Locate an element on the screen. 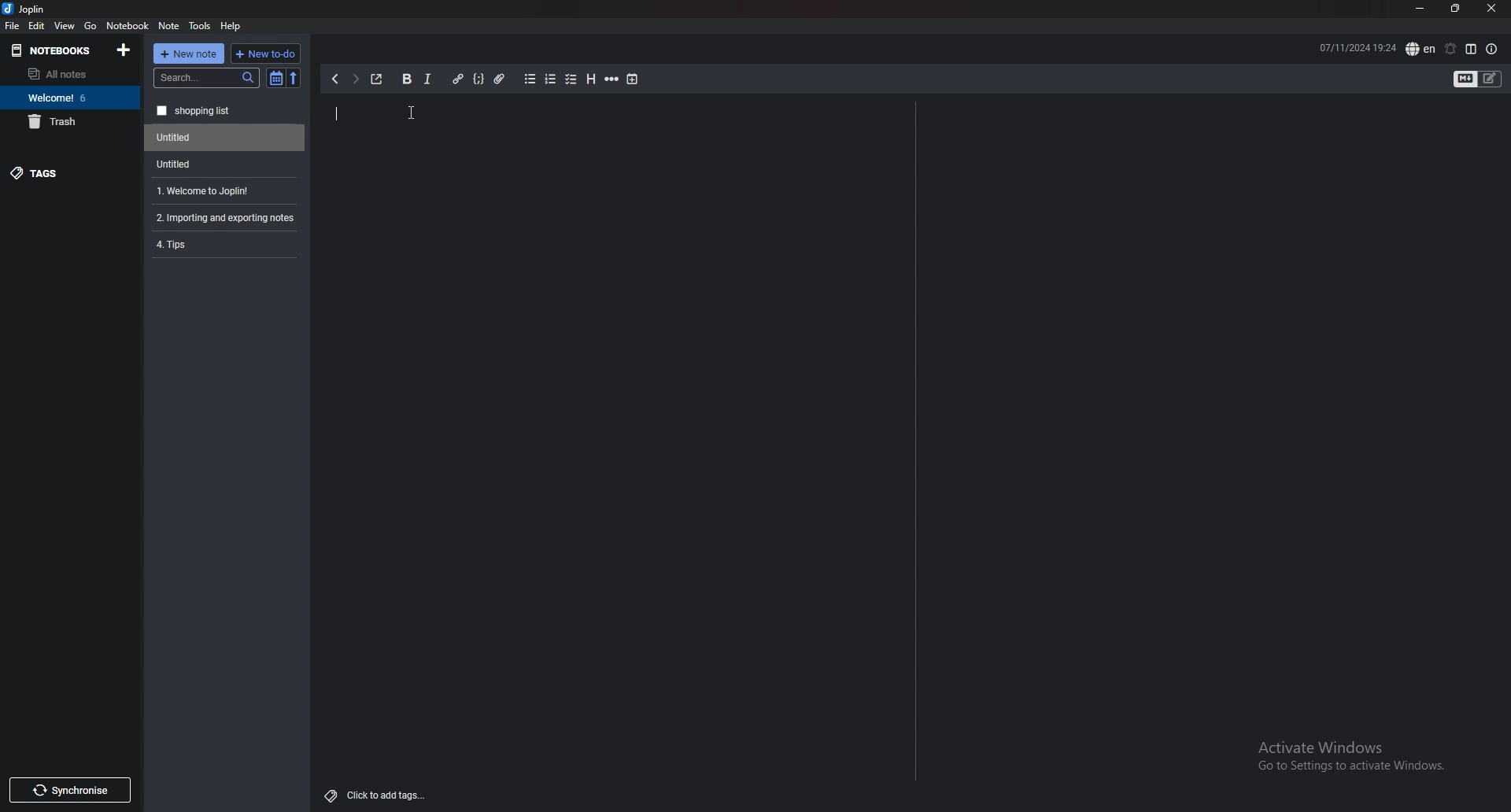  bold is located at coordinates (405, 79).